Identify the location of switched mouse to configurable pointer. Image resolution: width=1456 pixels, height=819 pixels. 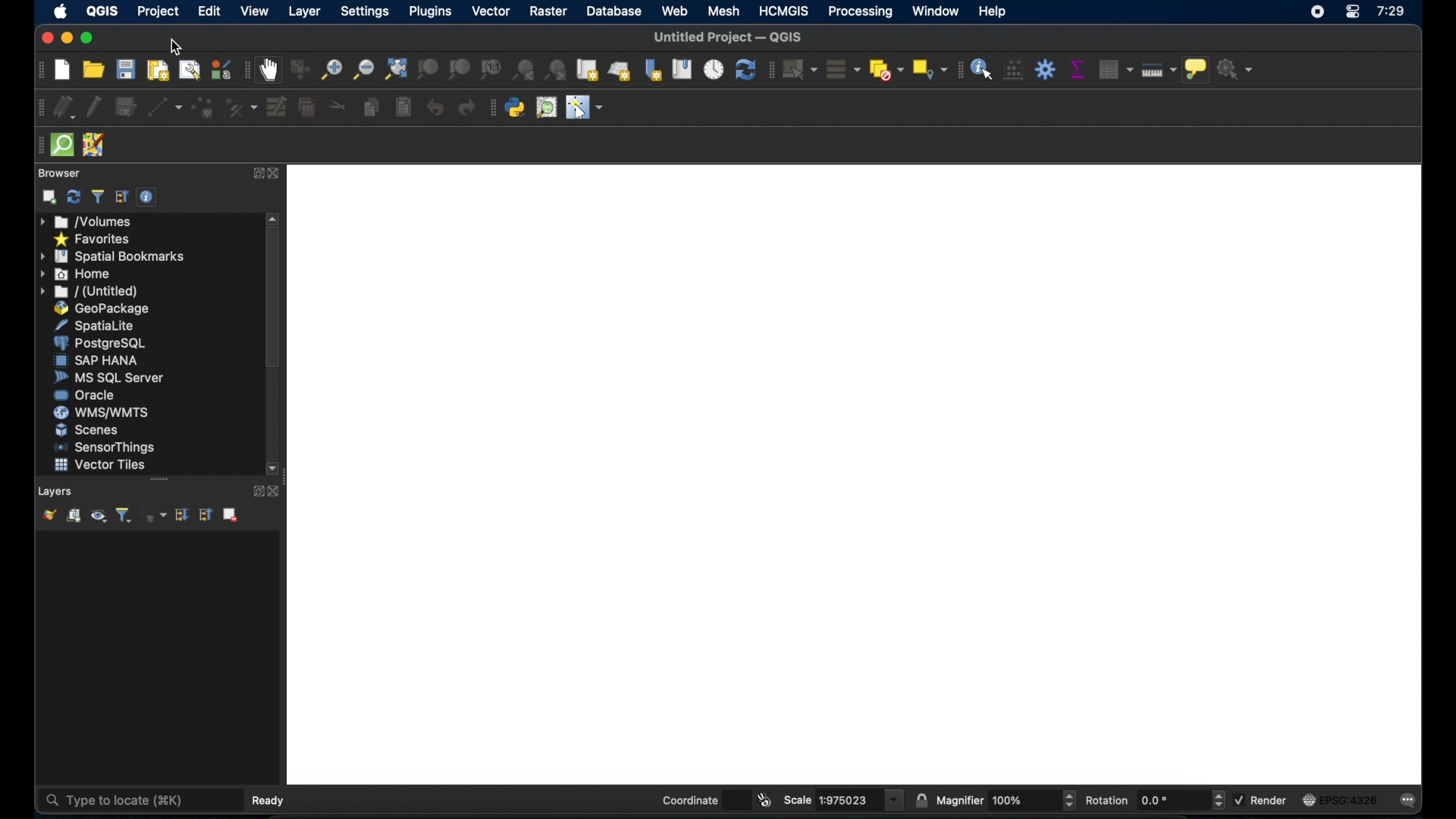
(585, 107).